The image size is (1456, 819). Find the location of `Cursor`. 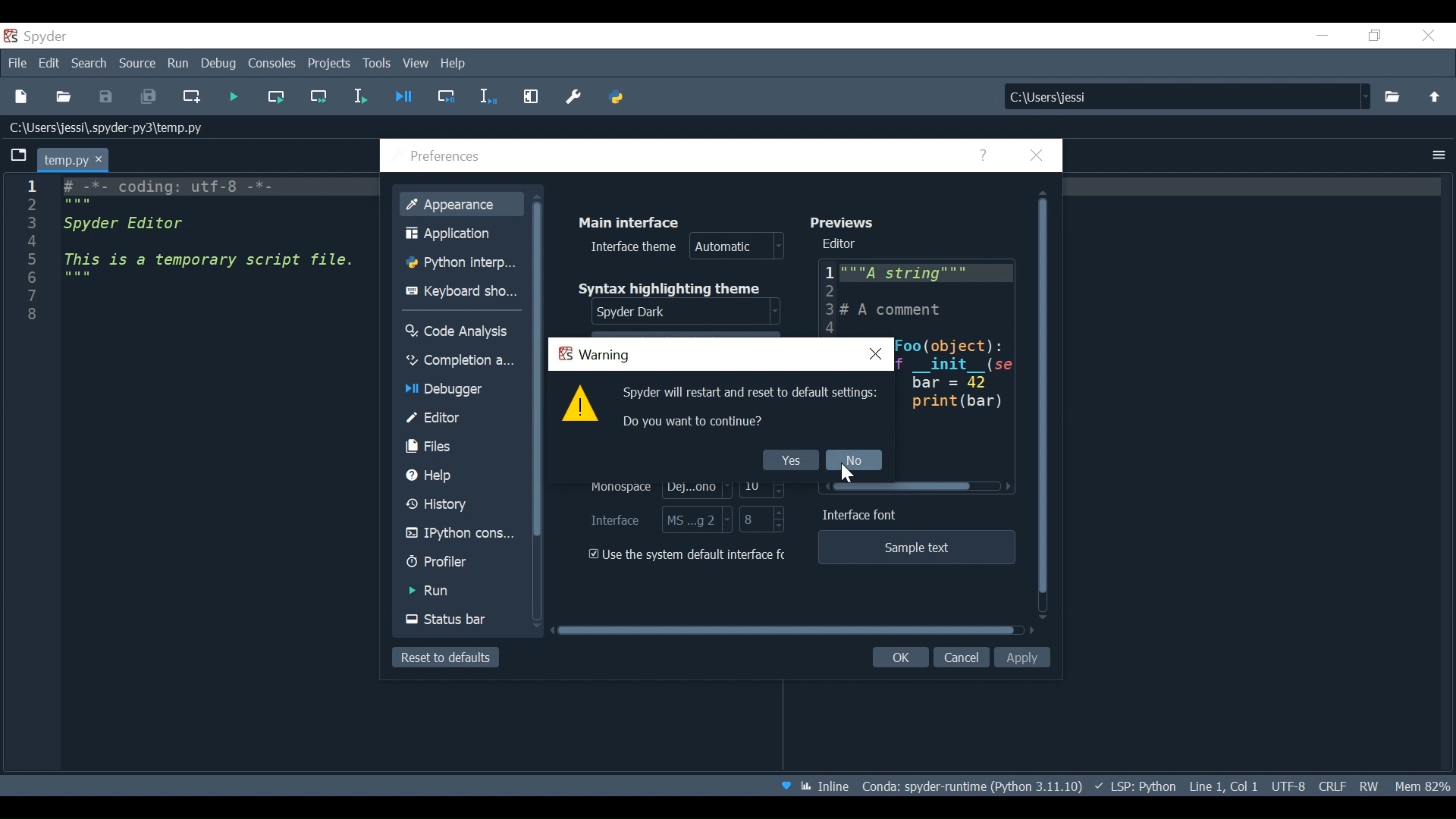

Cursor is located at coordinates (852, 475).